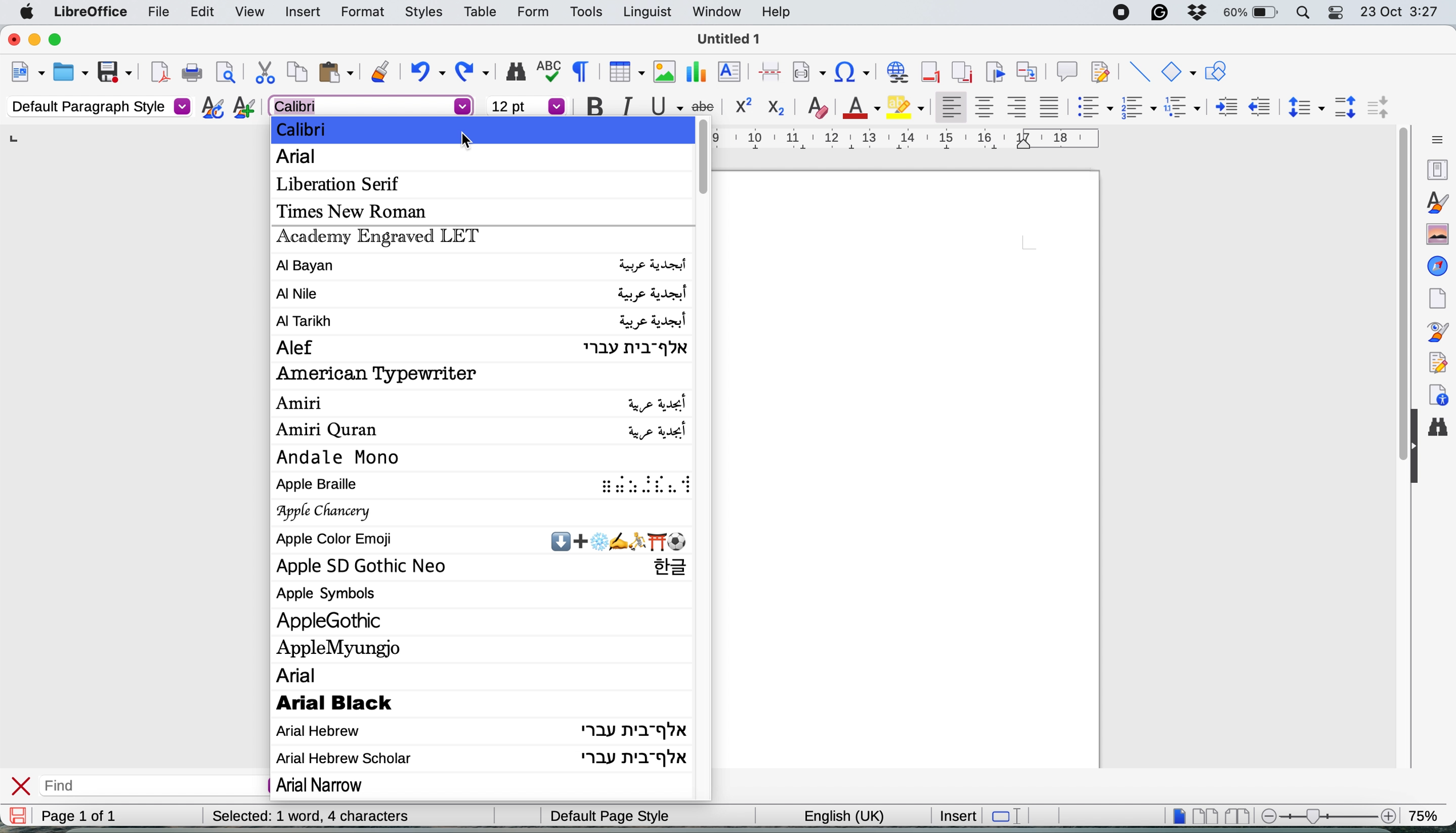 The image size is (1456, 833). What do you see at coordinates (512, 72) in the screenshot?
I see `find and replace` at bounding box center [512, 72].